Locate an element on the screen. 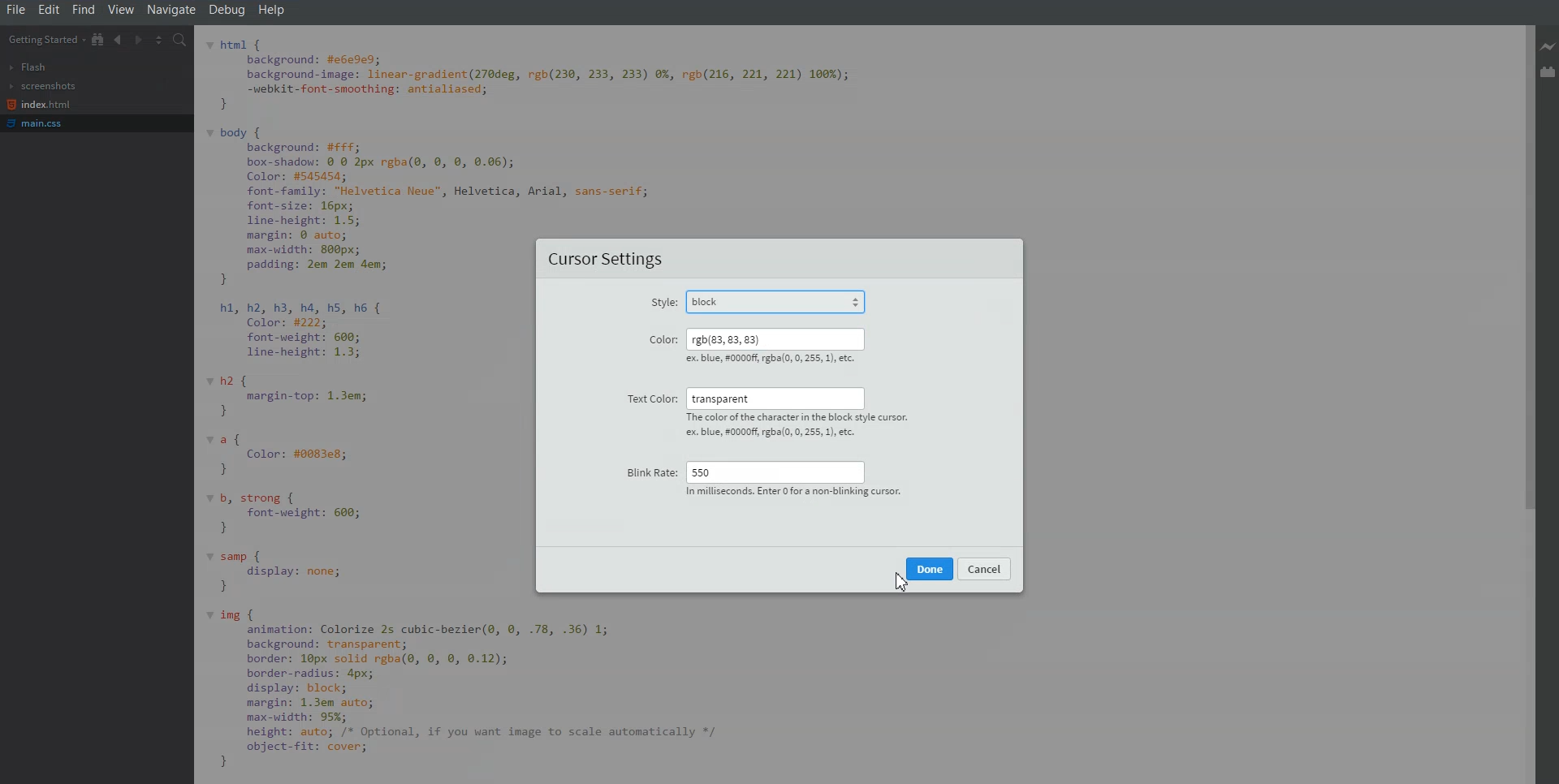 Image resolution: width=1559 pixels, height=784 pixels. Done is located at coordinates (930, 568).